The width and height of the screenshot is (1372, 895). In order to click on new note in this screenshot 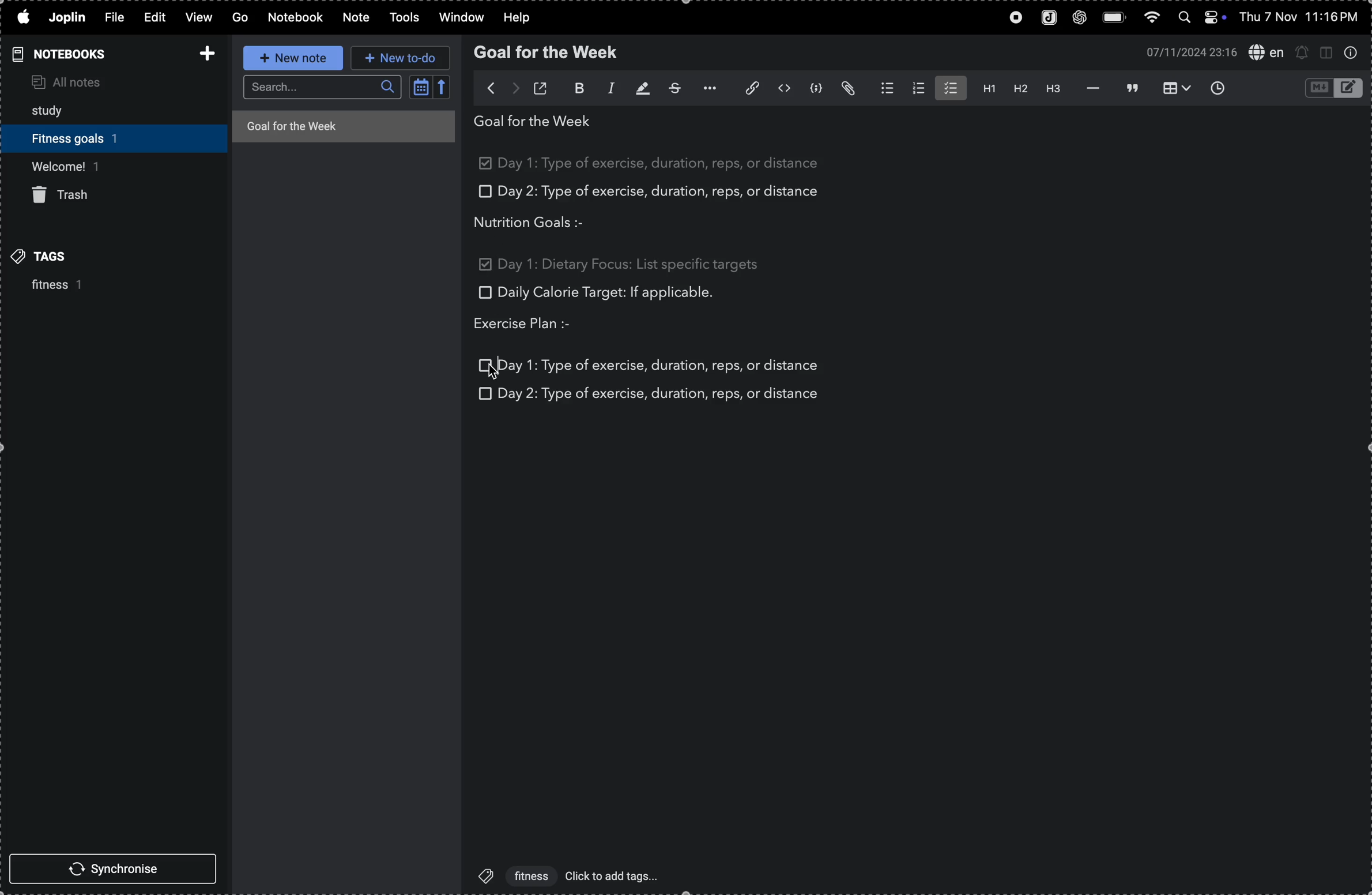, I will do `click(292, 57)`.